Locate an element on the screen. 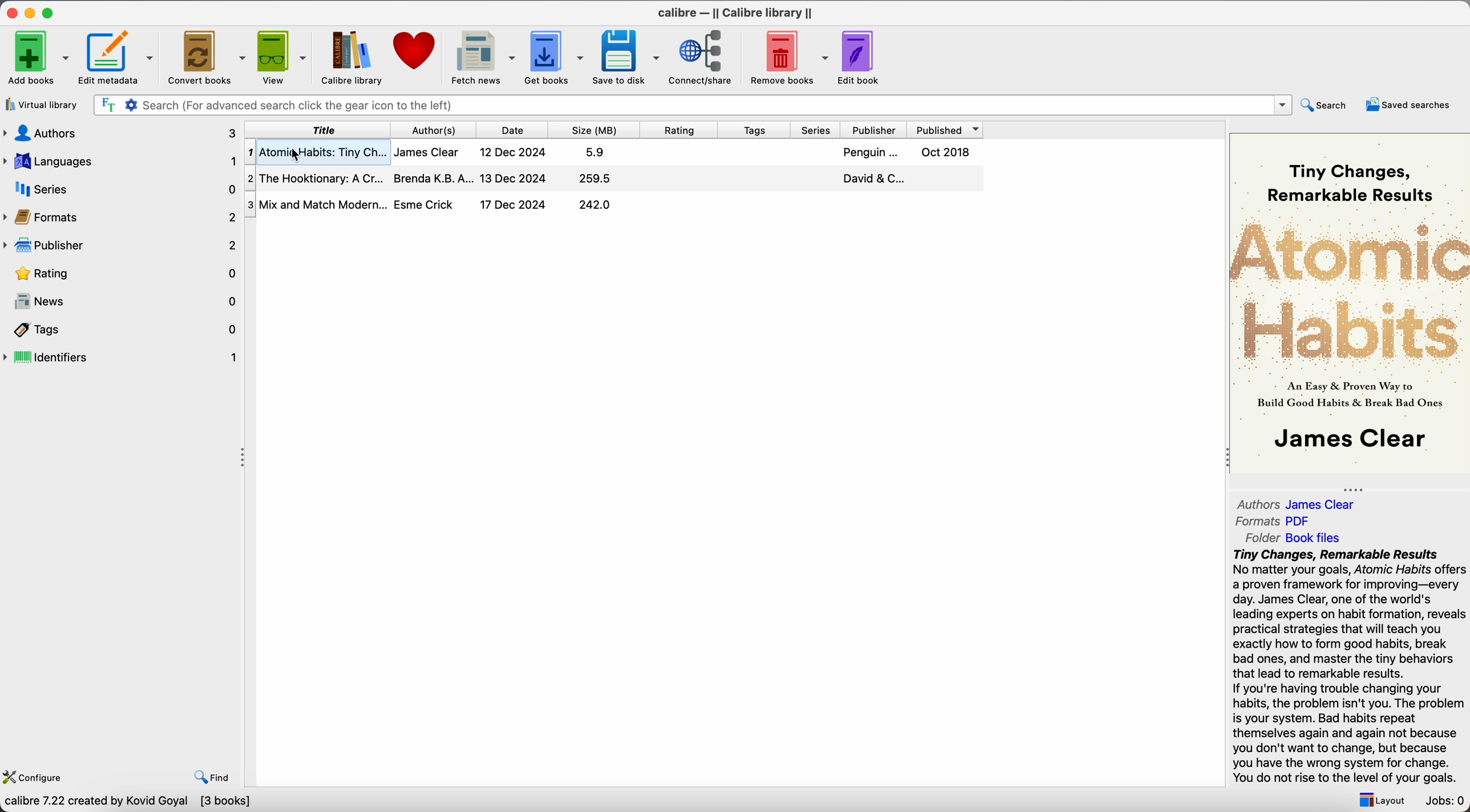 This screenshot has width=1470, height=812. Mix and Match Modern... is located at coordinates (317, 203).